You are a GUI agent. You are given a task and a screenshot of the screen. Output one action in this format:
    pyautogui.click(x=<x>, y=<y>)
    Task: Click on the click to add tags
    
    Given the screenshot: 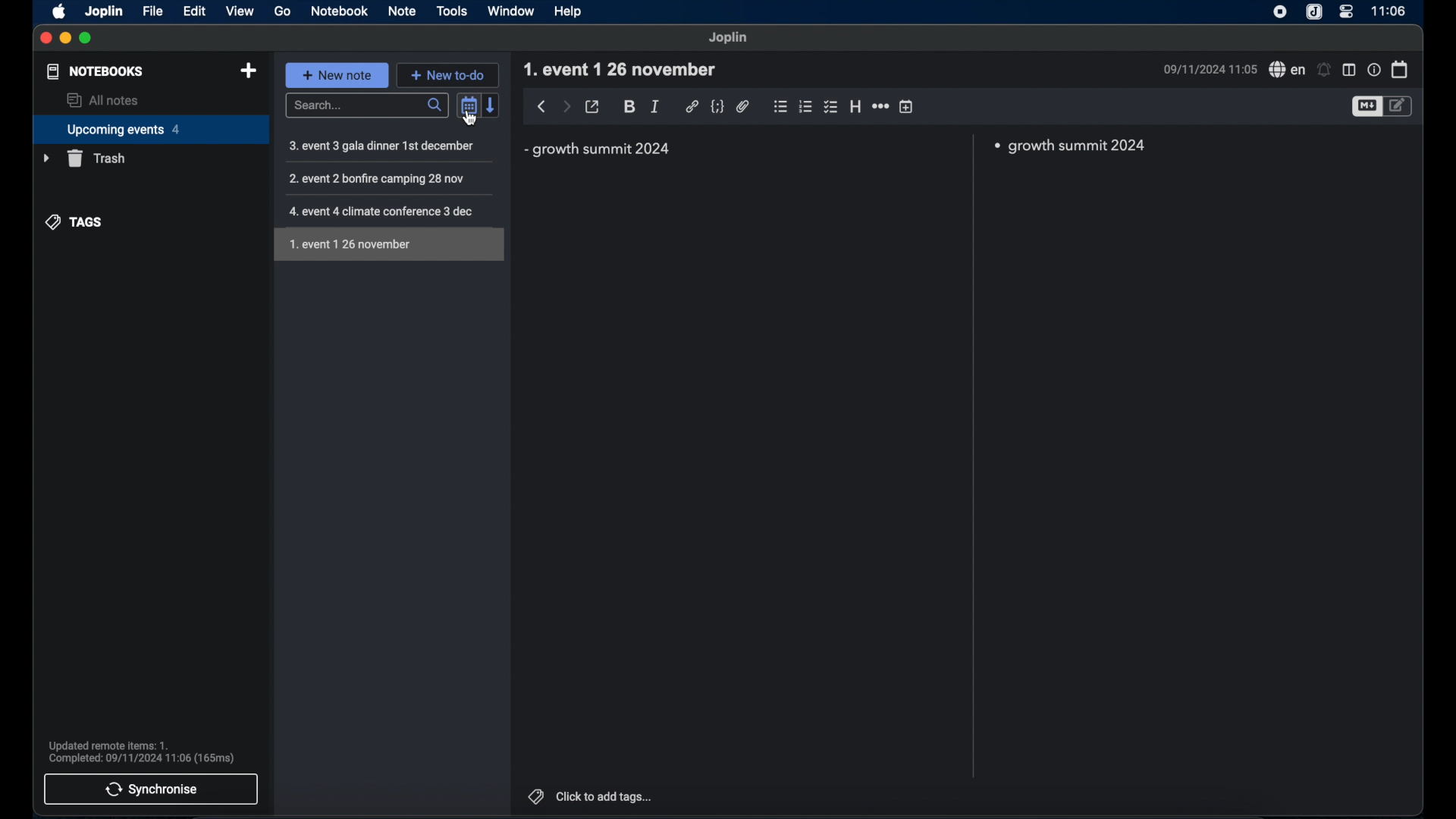 What is the action you would take?
    pyautogui.click(x=607, y=796)
    